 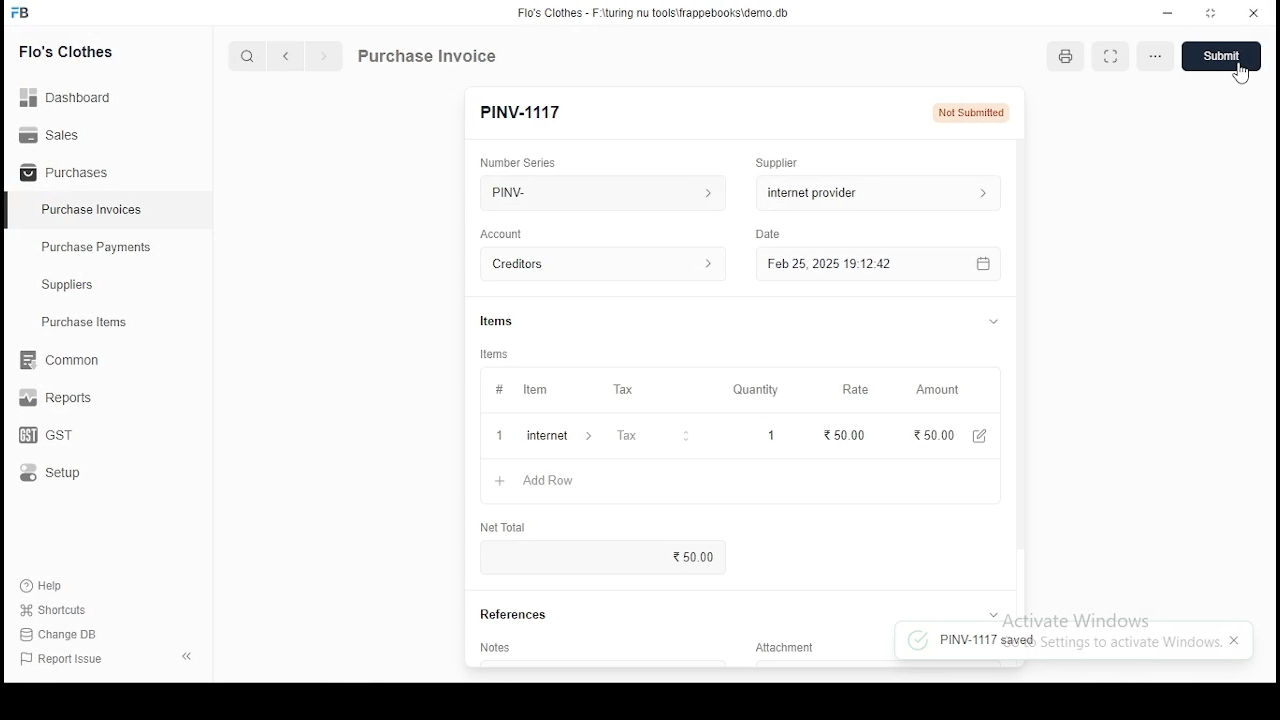 I want to click on gst, so click(x=46, y=437).